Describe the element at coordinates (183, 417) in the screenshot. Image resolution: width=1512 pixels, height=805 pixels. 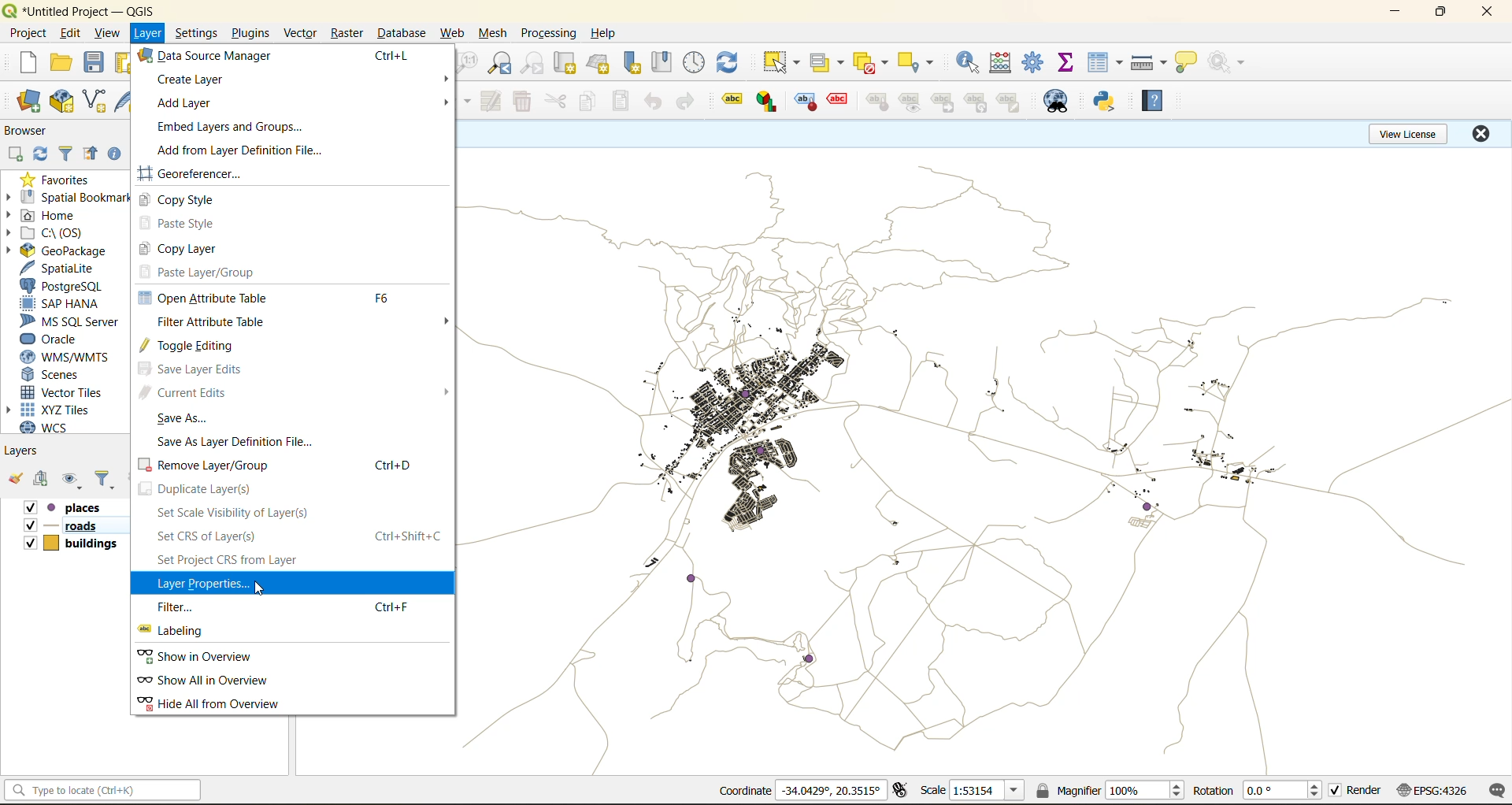
I see `save as` at that location.